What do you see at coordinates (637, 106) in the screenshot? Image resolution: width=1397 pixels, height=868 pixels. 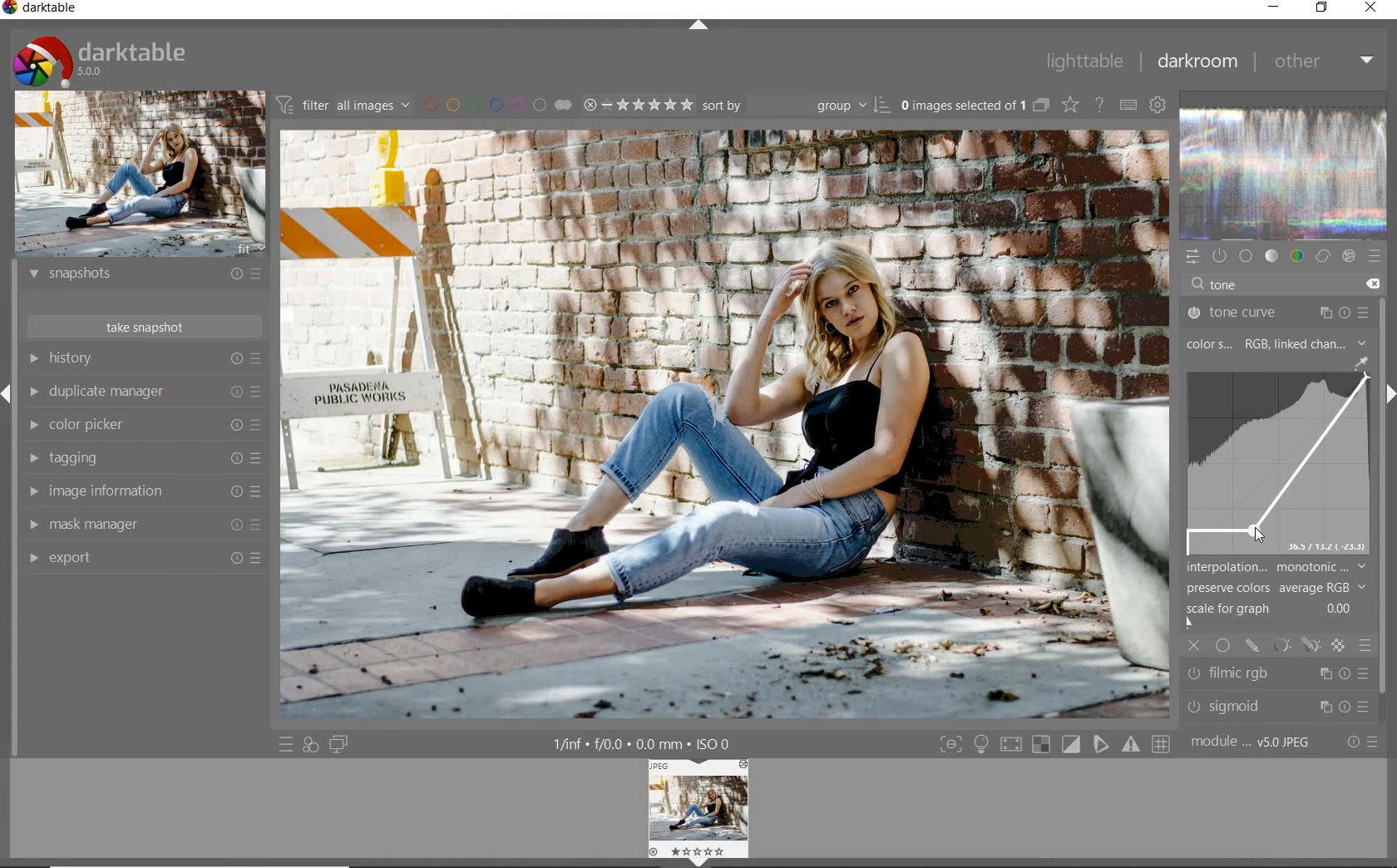 I see `range rating of selected images` at bounding box center [637, 106].